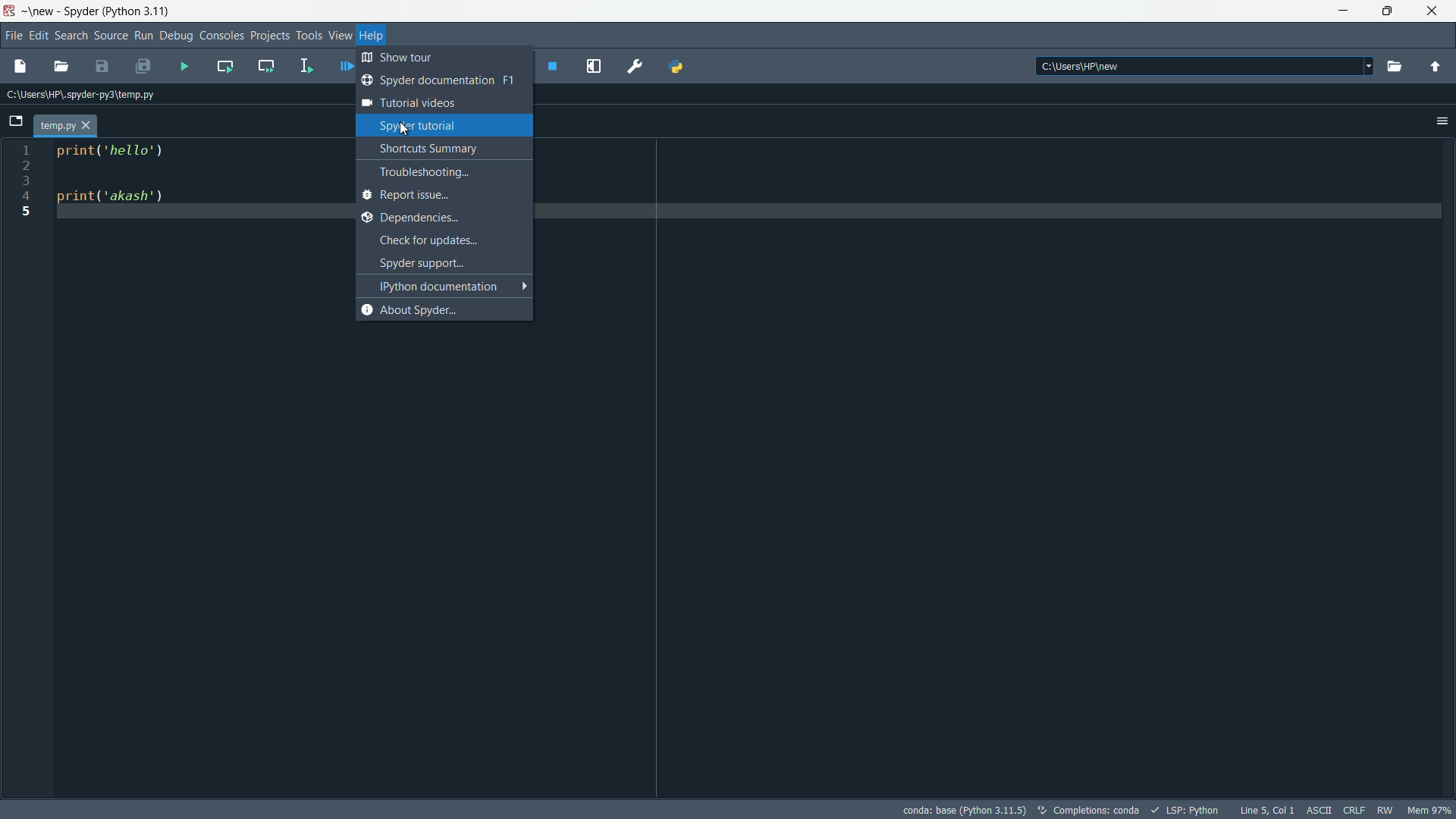 Image resolution: width=1456 pixels, height=819 pixels. I want to click on tutorial videos, so click(442, 103).